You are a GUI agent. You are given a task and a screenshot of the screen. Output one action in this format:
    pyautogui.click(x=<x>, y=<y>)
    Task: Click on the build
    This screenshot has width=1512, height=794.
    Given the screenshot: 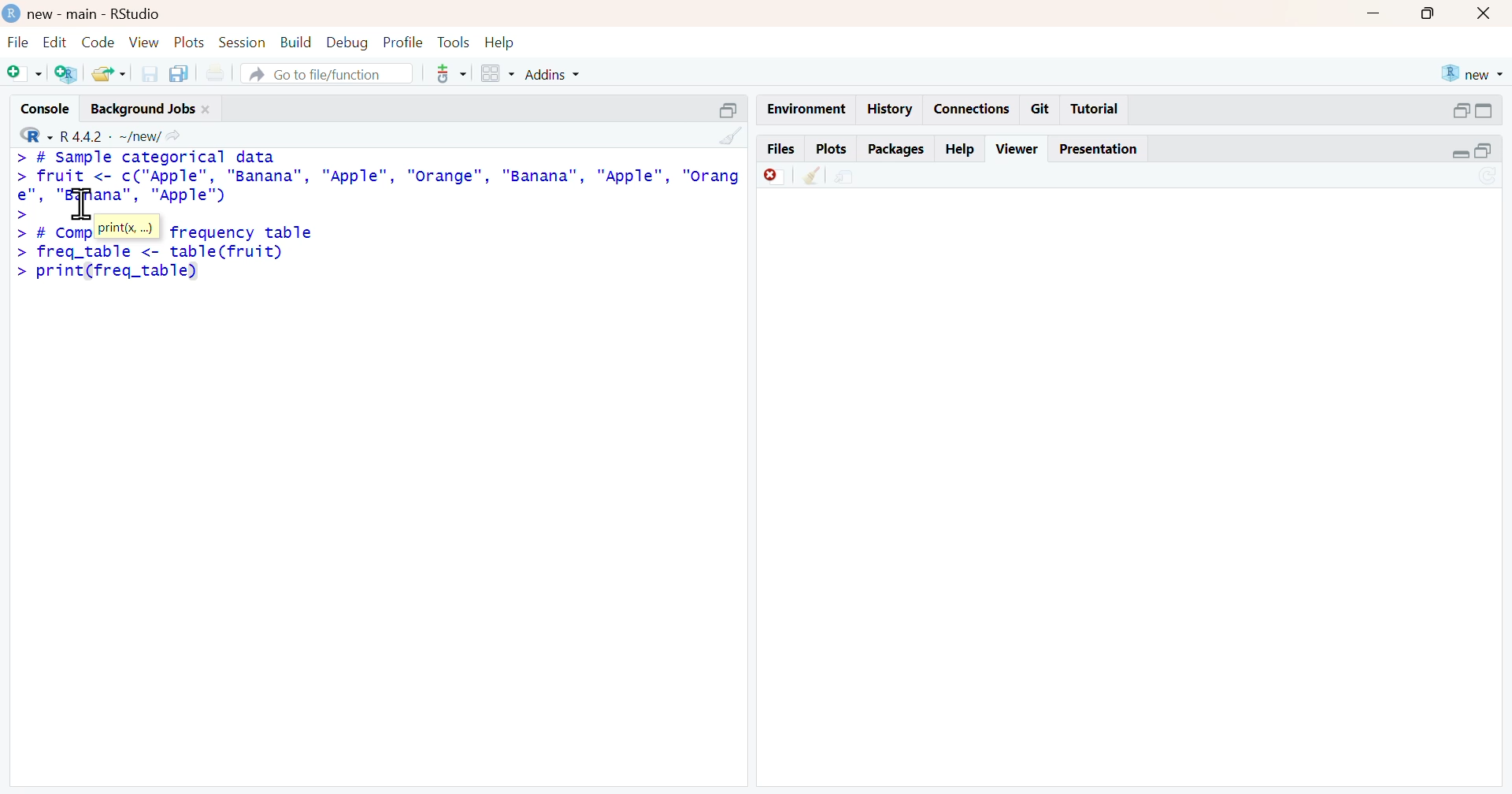 What is the action you would take?
    pyautogui.click(x=295, y=43)
    